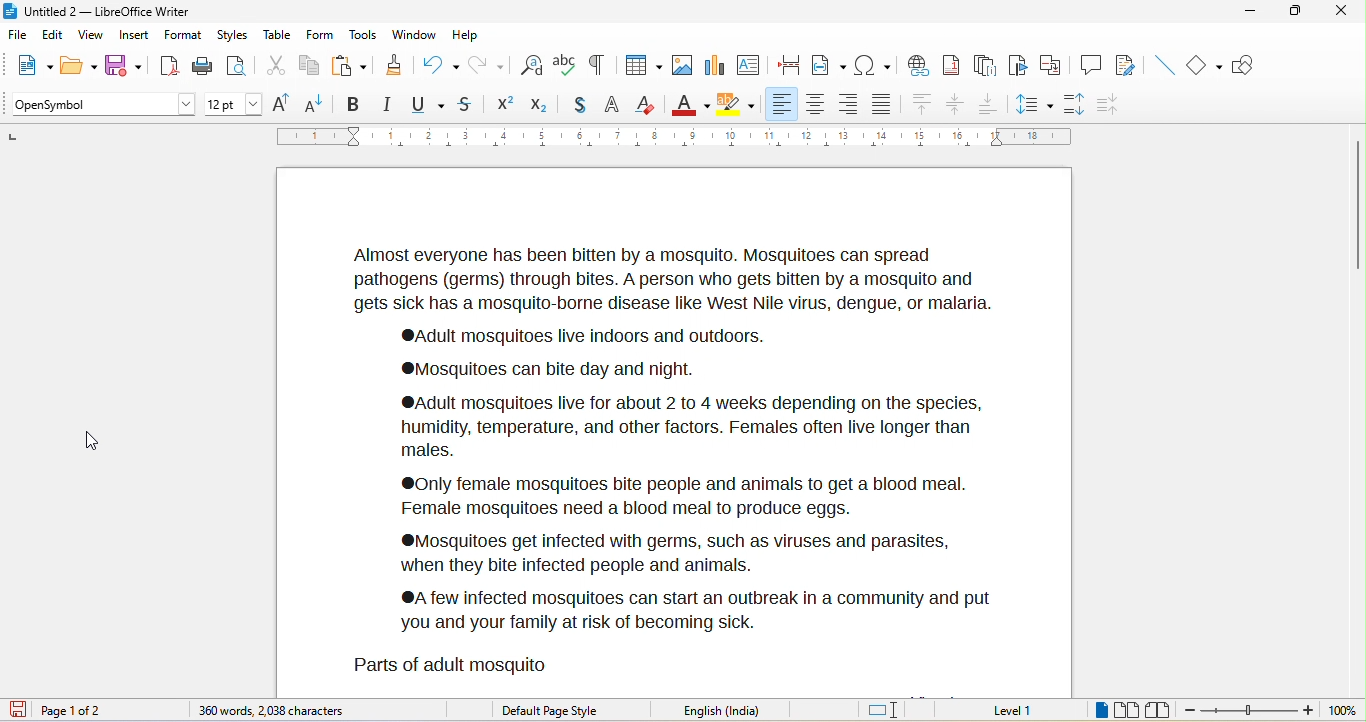 Image resolution: width=1366 pixels, height=722 pixels. I want to click on endnote, so click(987, 67).